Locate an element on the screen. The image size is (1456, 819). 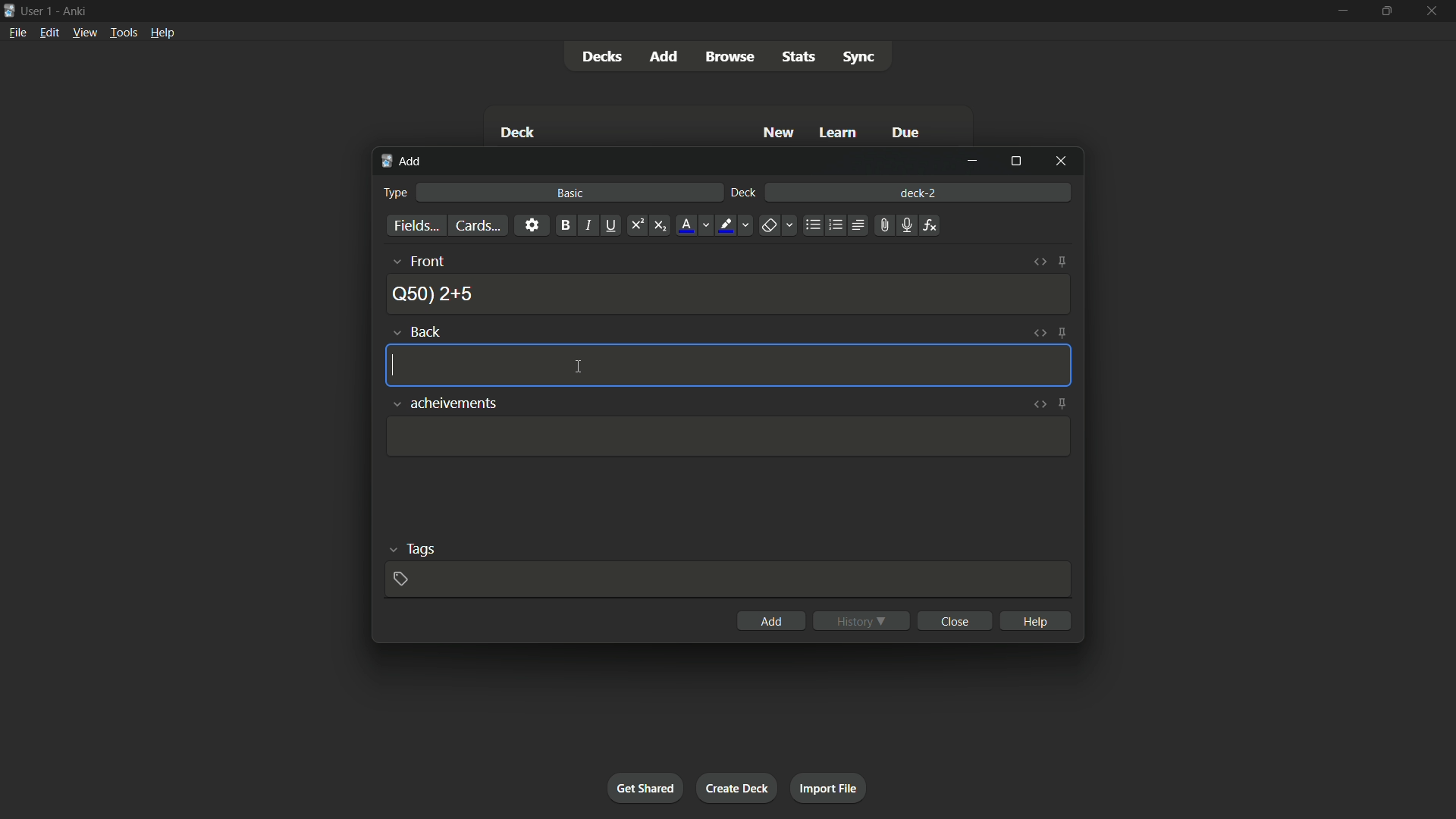
tags is located at coordinates (410, 548).